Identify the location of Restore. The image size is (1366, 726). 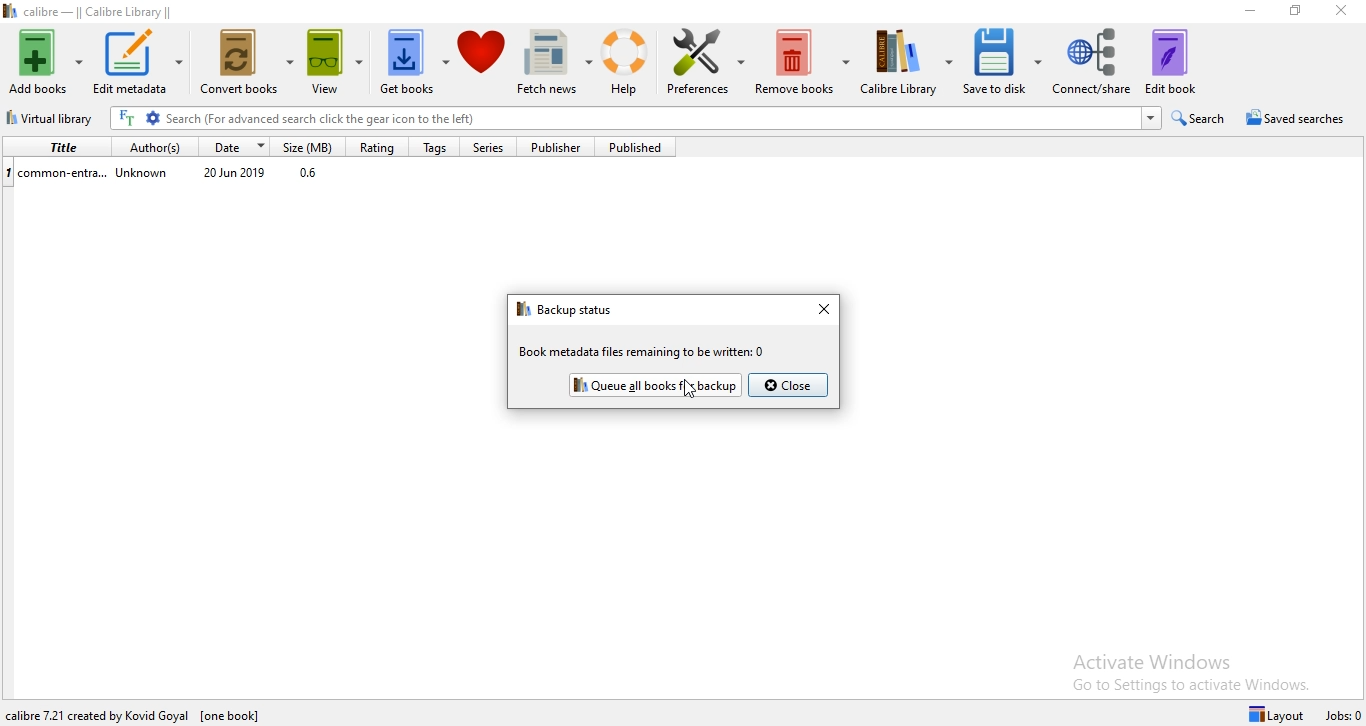
(1295, 11).